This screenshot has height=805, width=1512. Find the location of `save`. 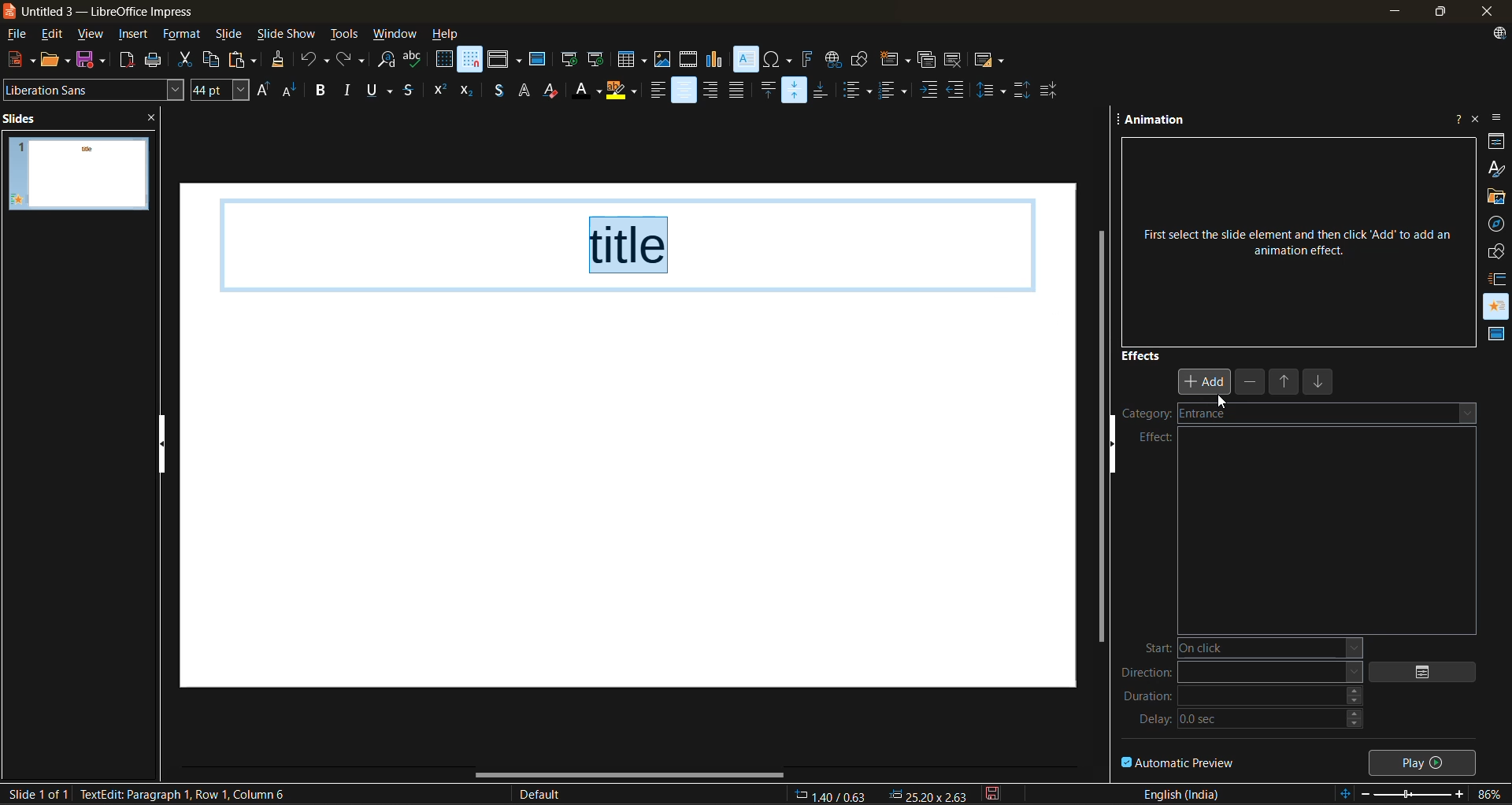

save is located at coordinates (93, 59).